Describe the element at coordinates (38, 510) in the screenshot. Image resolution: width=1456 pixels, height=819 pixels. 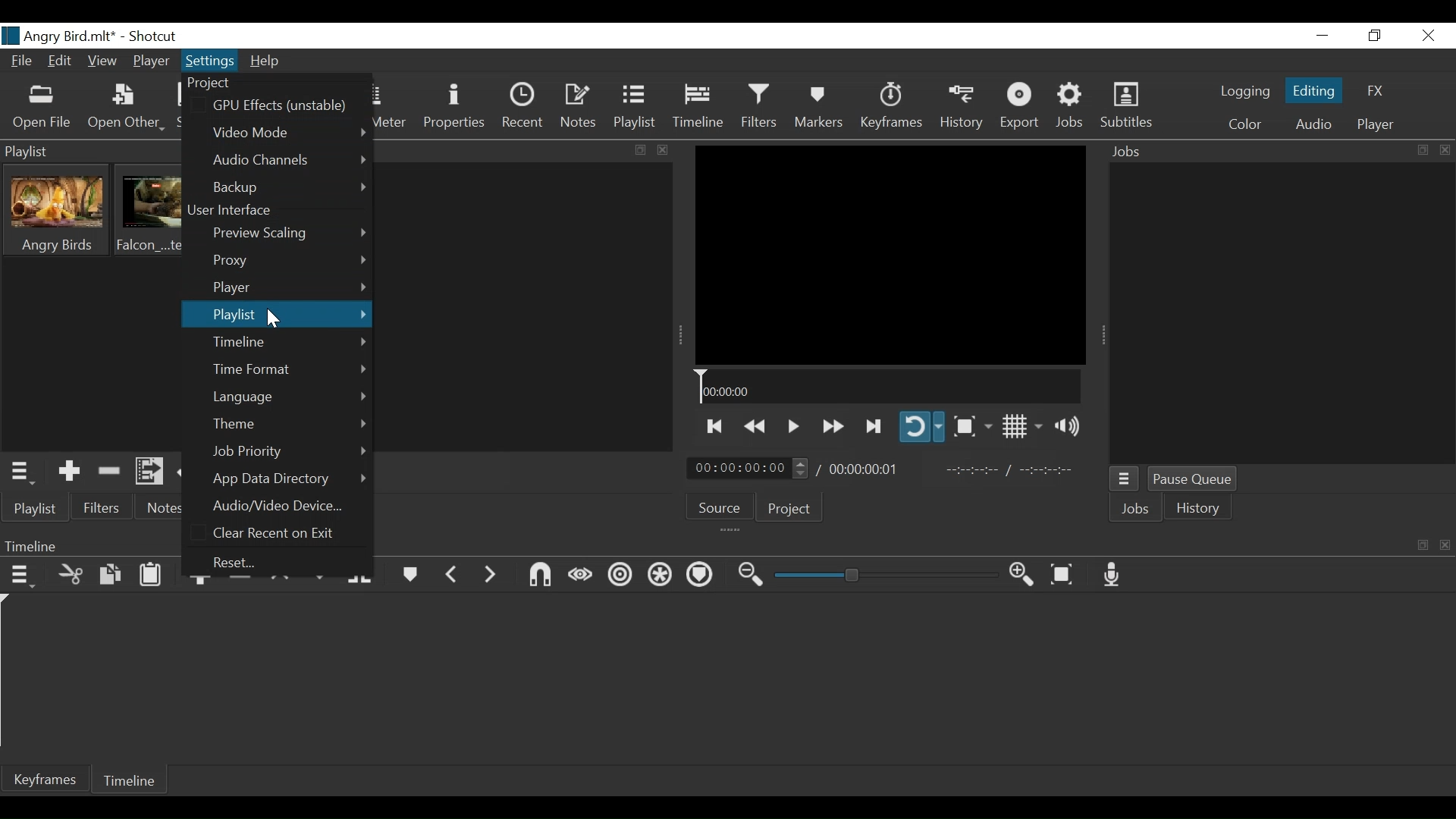
I see `Playlist` at that location.